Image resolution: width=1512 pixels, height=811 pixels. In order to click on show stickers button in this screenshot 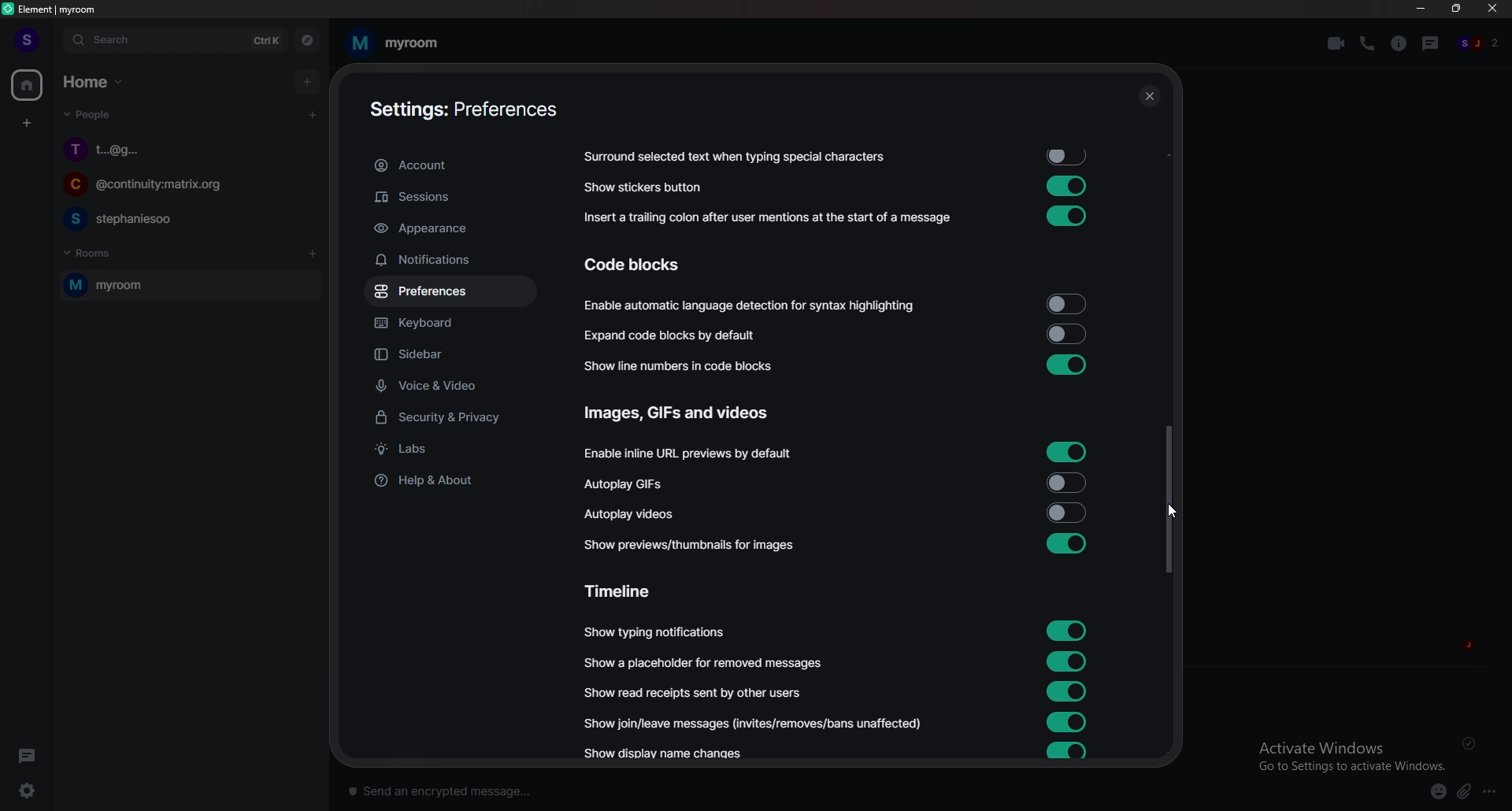, I will do `click(644, 187)`.